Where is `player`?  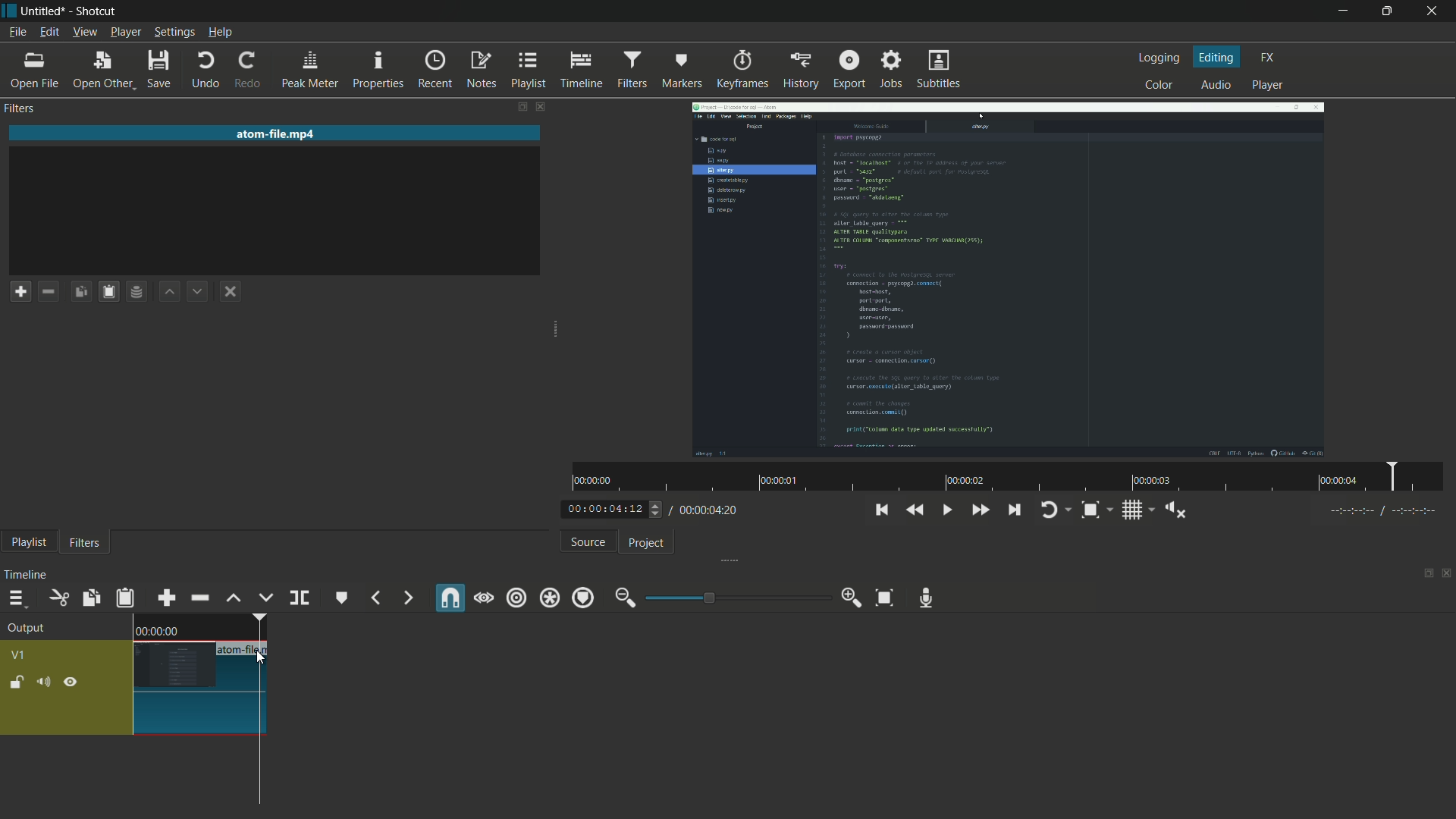 player is located at coordinates (1269, 86).